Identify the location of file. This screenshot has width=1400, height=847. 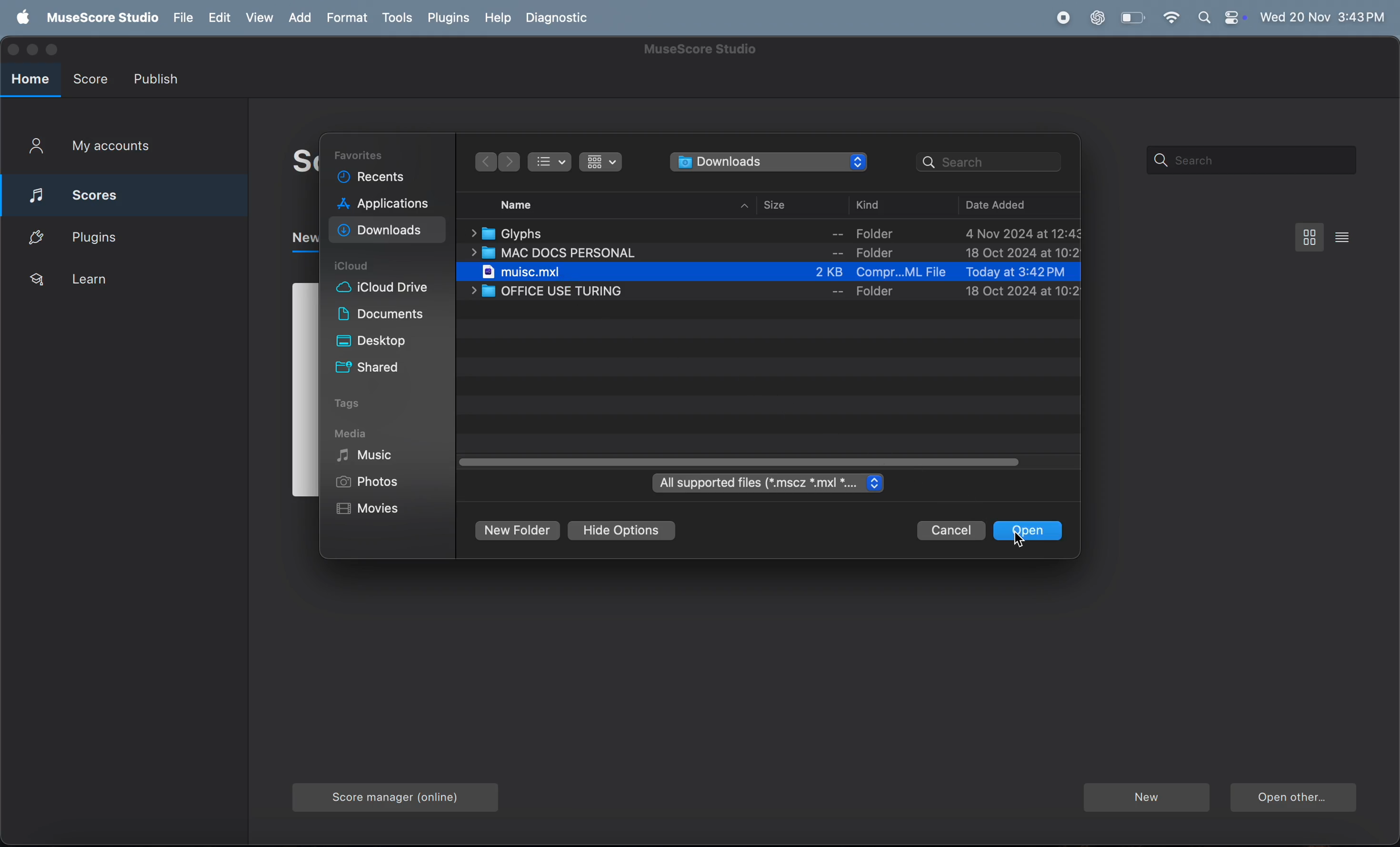
(182, 16).